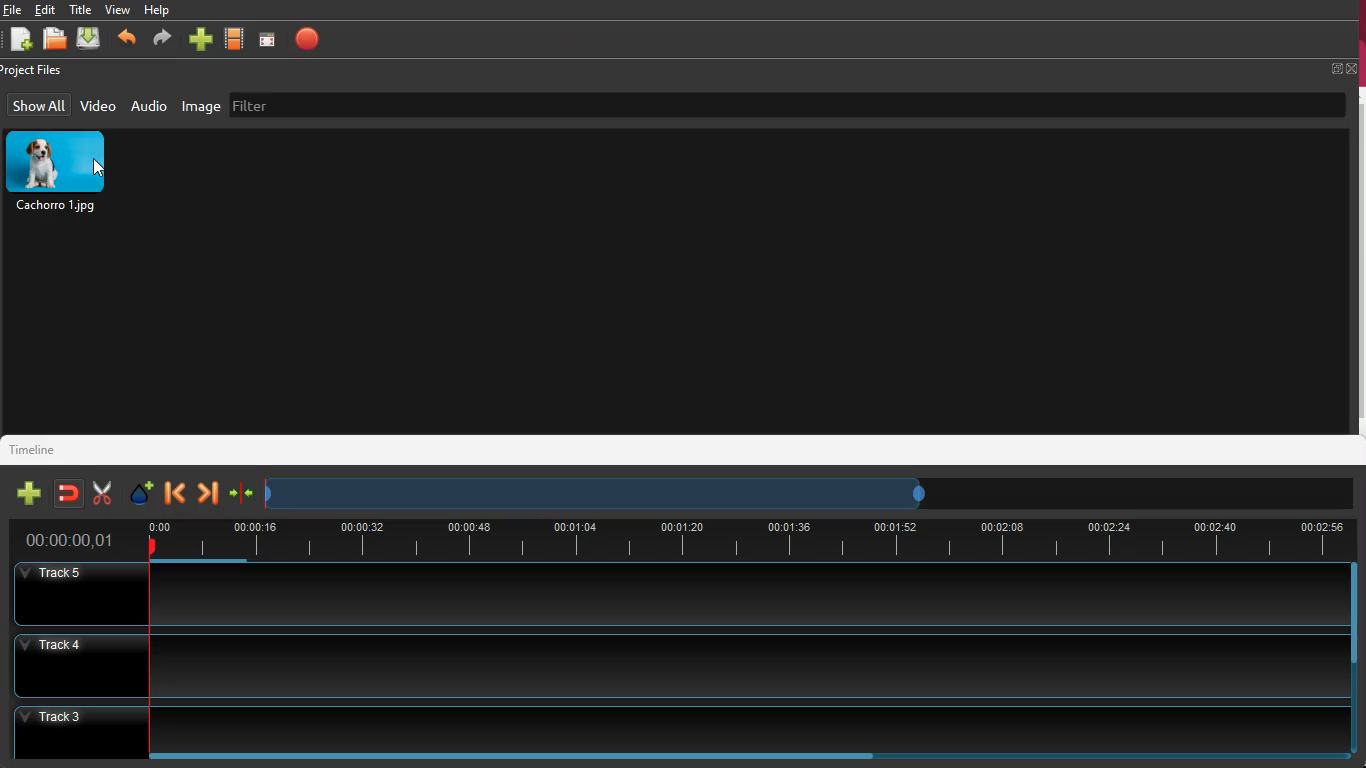 The height and width of the screenshot is (768, 1366). Describe the element at coordinates (271, 39) in the screenshot. I see `screen` at that location.